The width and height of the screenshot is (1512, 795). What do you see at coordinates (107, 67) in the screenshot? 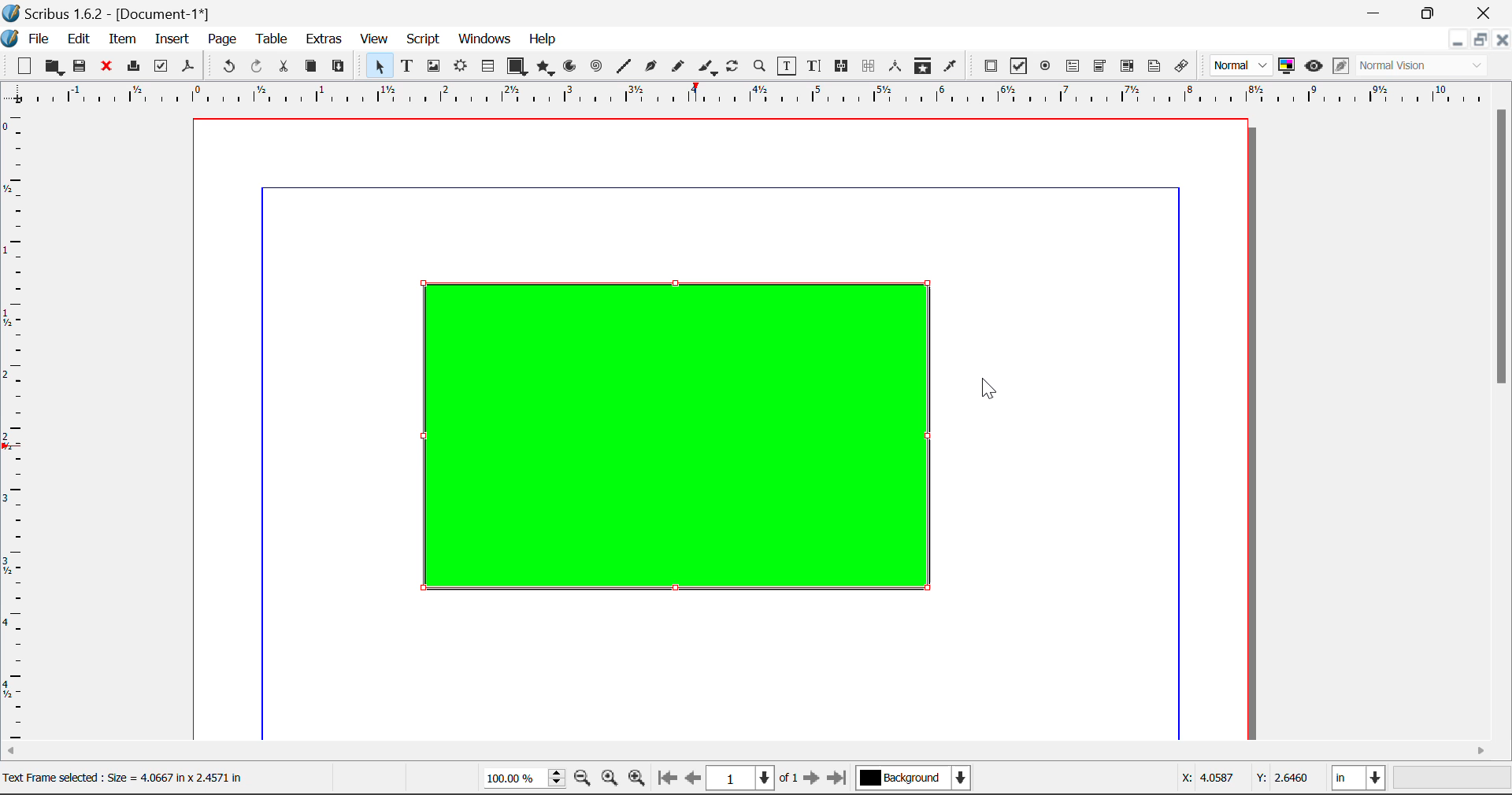
I see `Discard` at bounding box center [107, 67].